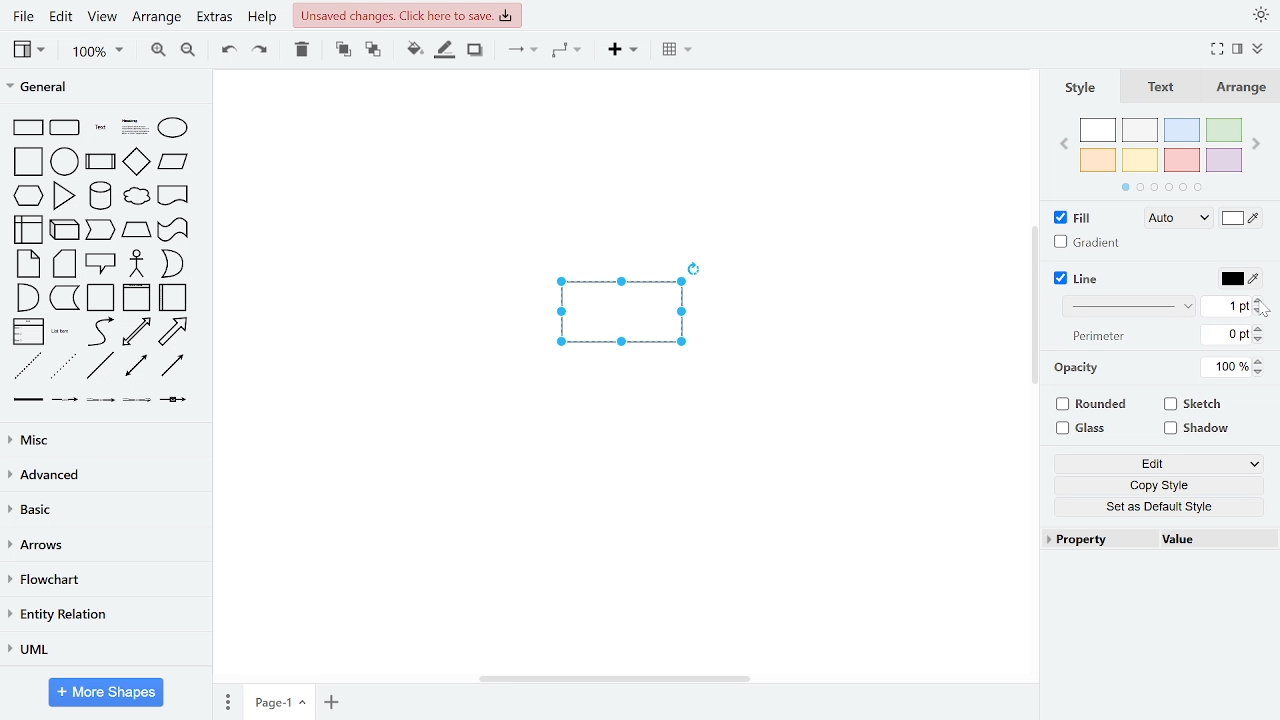  Describe the element at coordinates (27, 364) in the screenshot. I see `general shapes` at that location.